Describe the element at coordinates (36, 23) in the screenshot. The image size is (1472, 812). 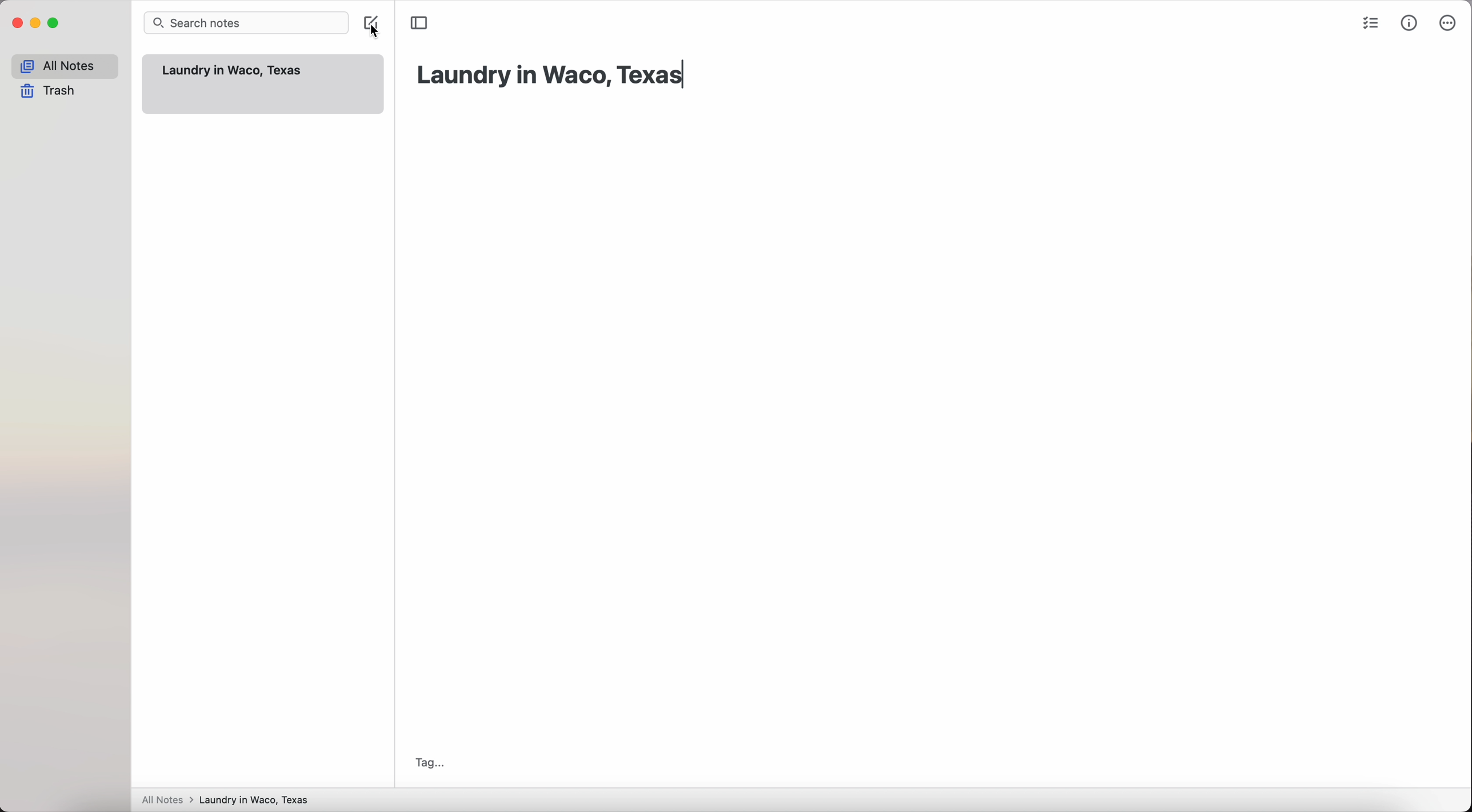
I see `minimize app` at that location.